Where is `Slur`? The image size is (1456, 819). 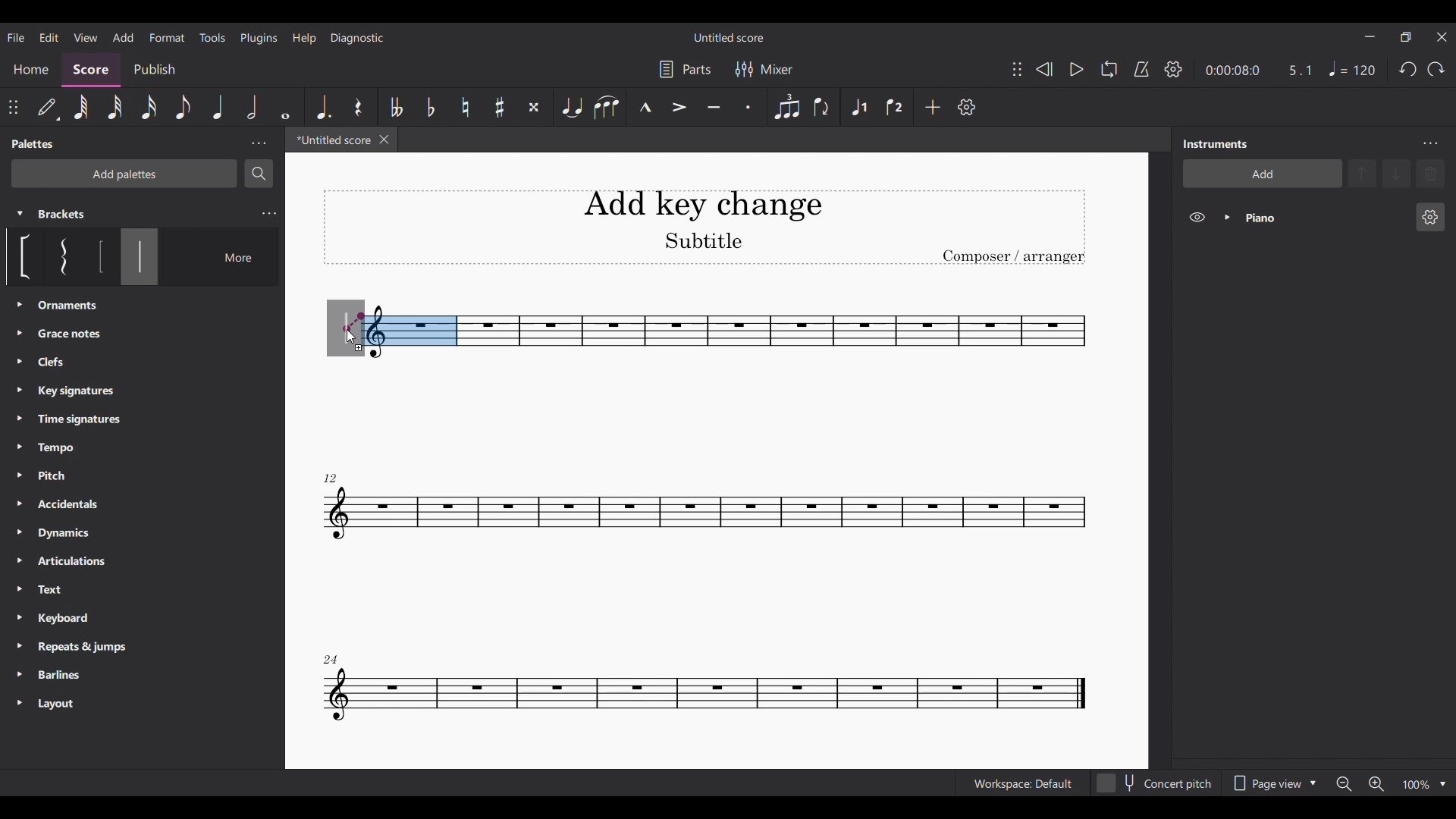
Slur is located at coordinates (606, 108).